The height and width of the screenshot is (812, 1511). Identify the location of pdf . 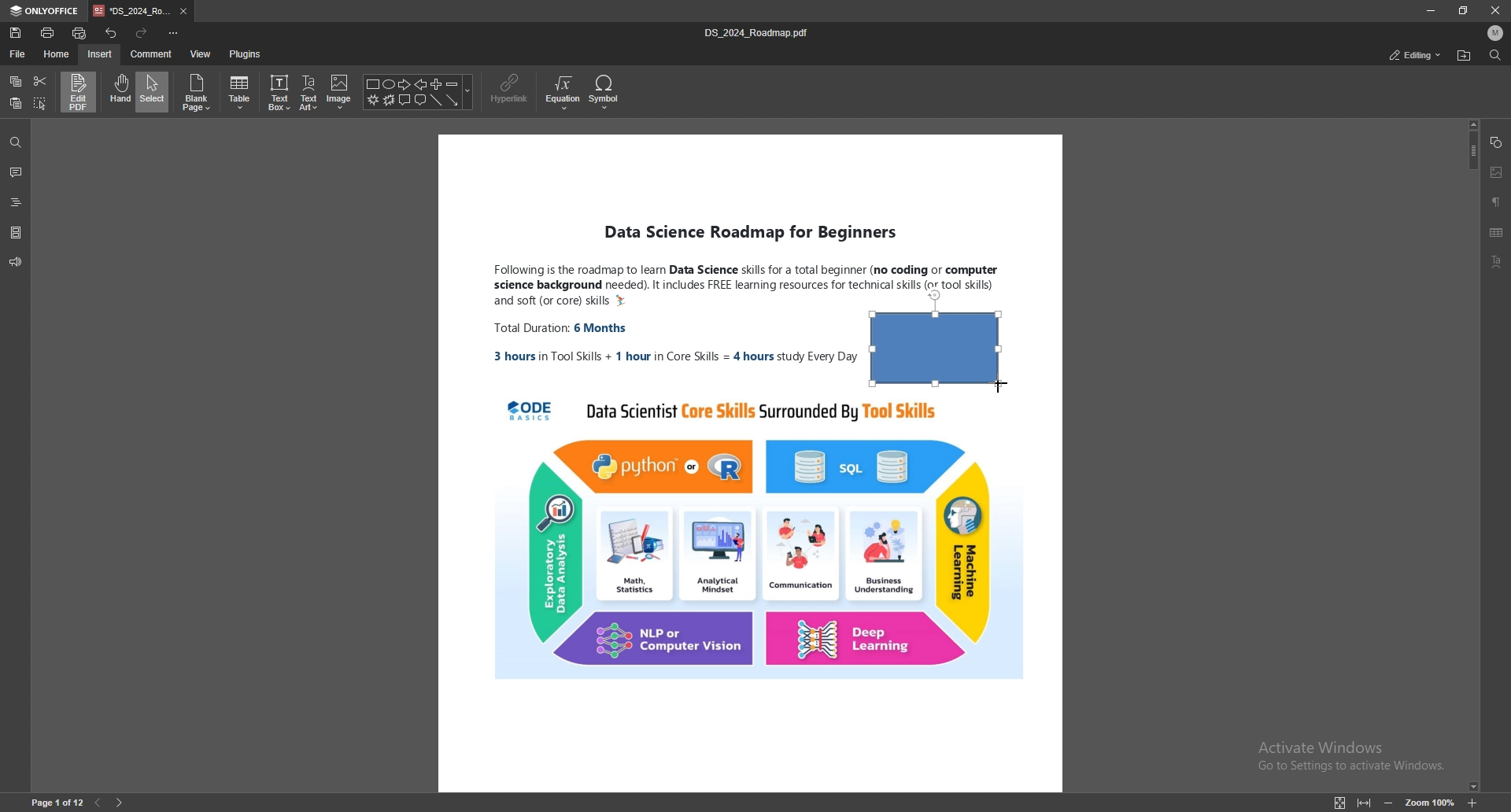
(922, 226).